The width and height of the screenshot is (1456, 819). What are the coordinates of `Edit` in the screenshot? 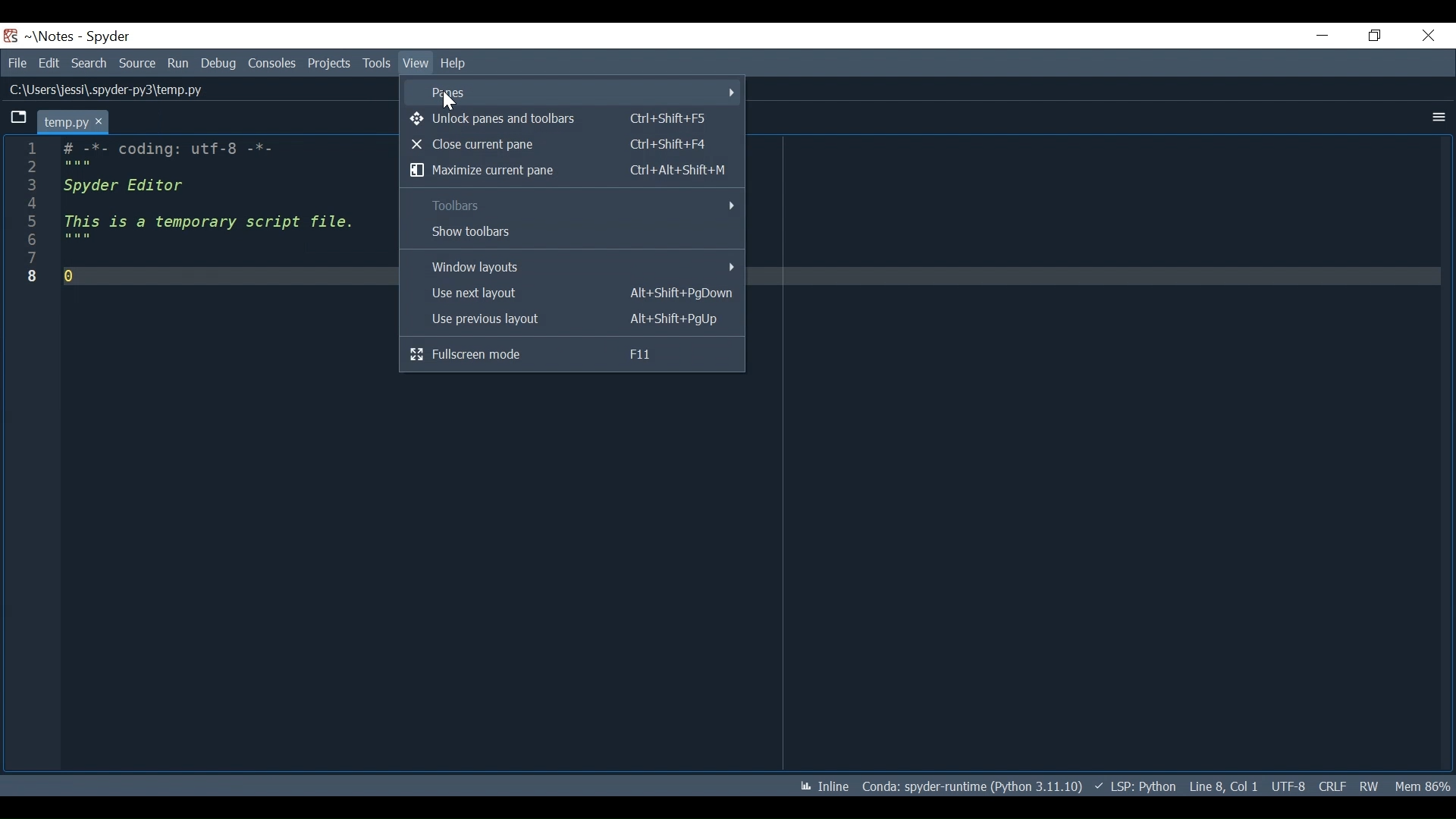 It's located at (49, 63).